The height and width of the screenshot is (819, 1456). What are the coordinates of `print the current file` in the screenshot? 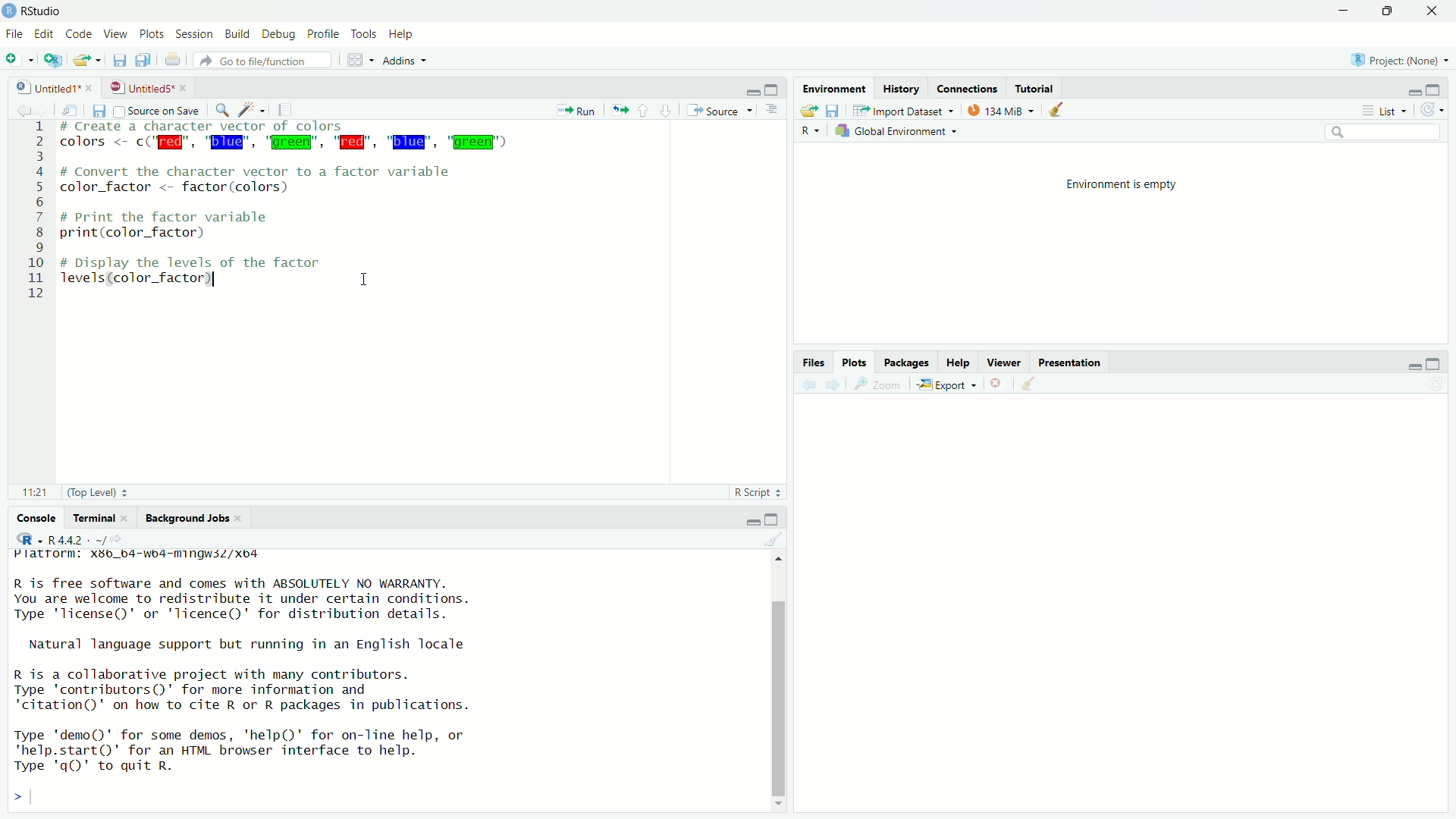 It's located at (173, 59).